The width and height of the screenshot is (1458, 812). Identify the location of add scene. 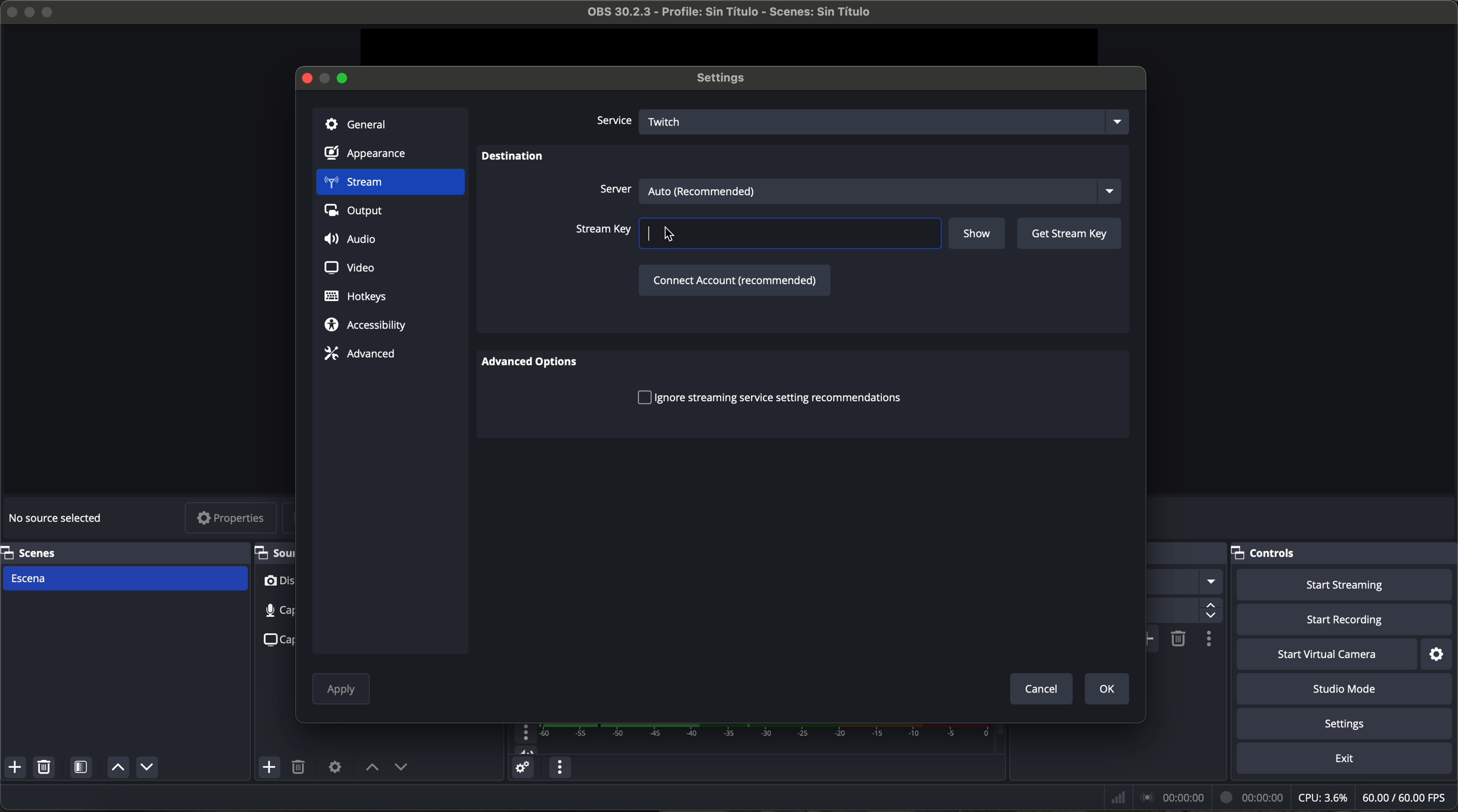
(15, 769).